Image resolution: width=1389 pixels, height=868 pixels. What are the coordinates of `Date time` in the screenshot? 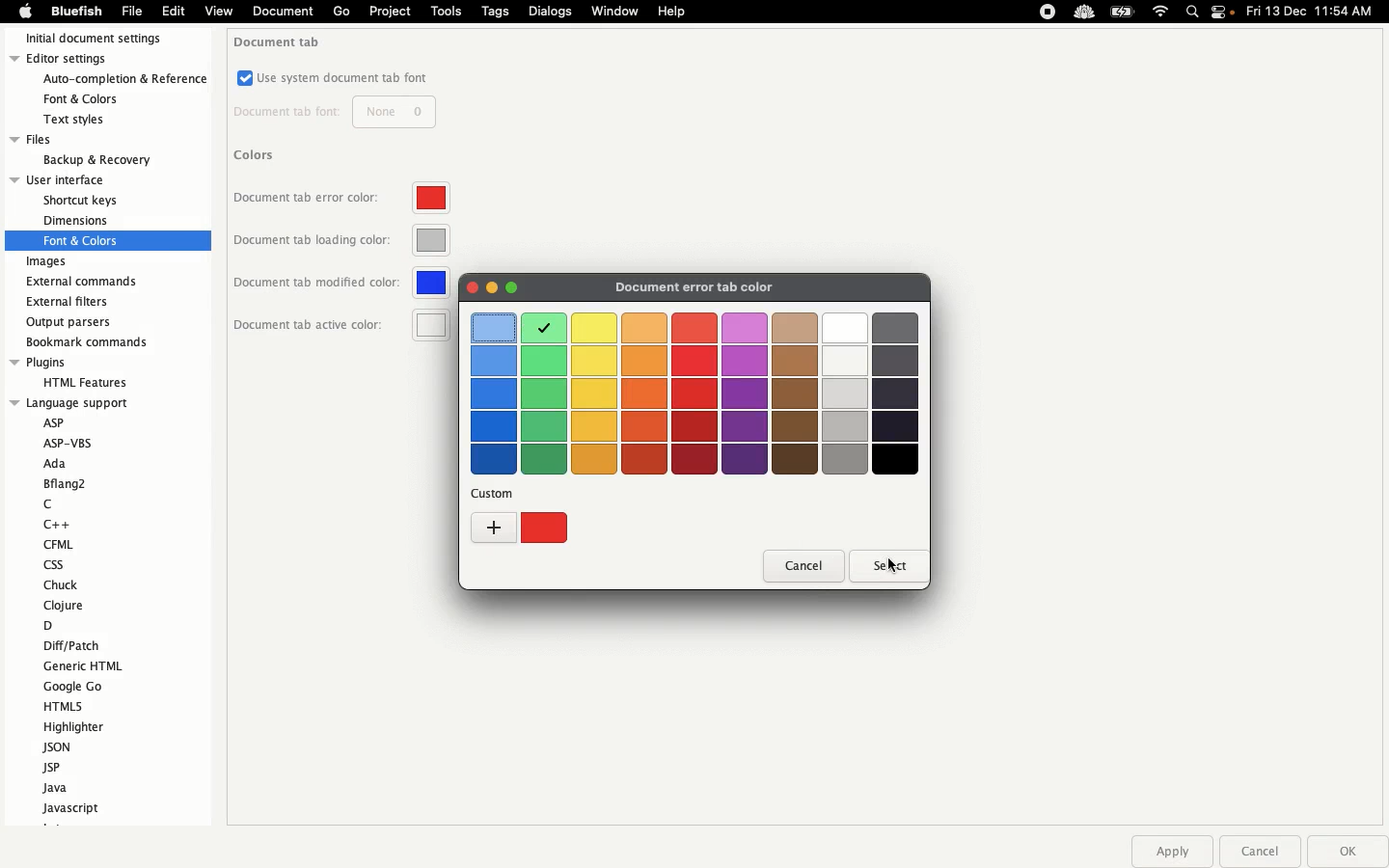 It's located at (1316, 11).